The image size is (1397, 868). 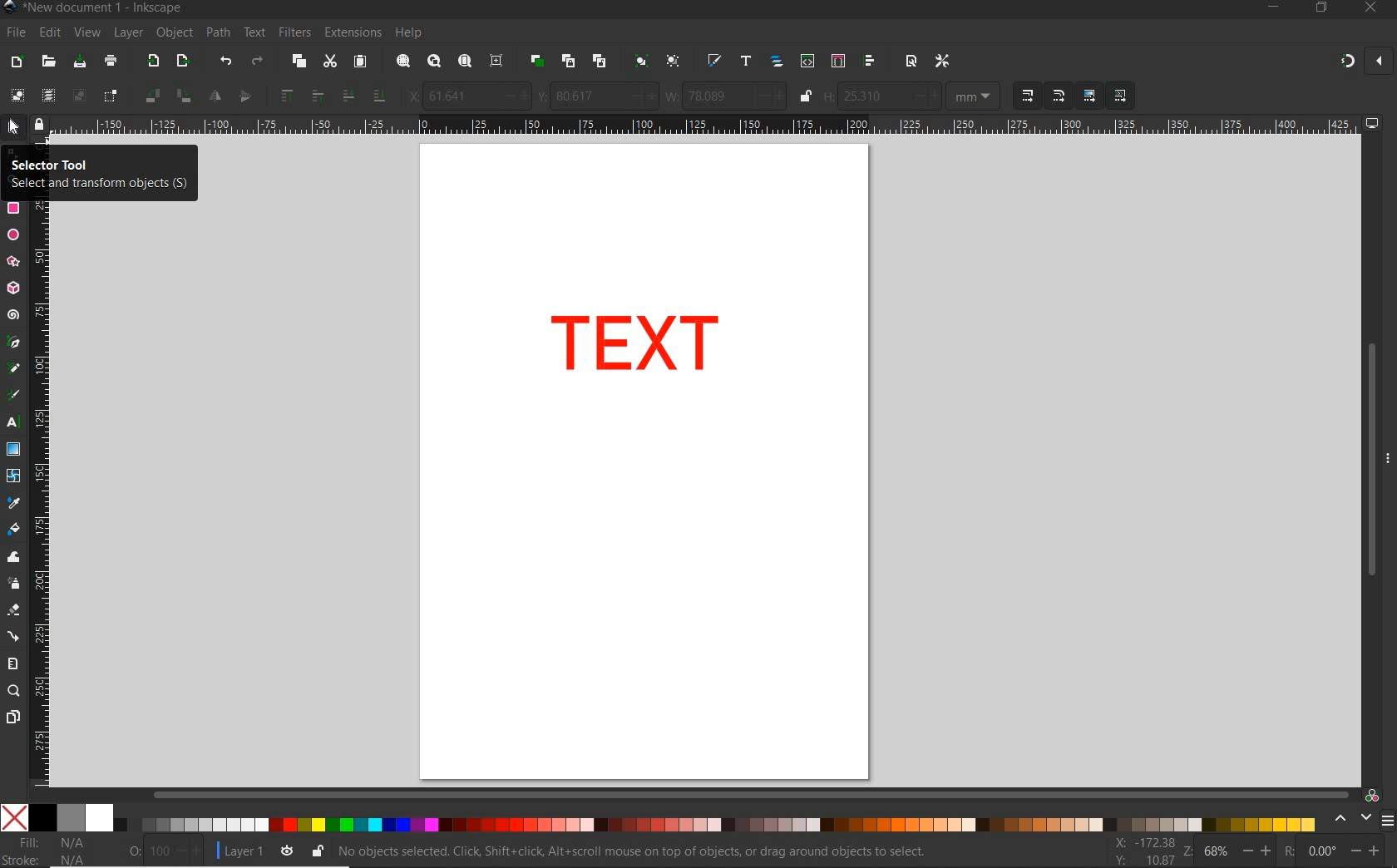 I want to click on width of selection, so click(x=725, y=96).